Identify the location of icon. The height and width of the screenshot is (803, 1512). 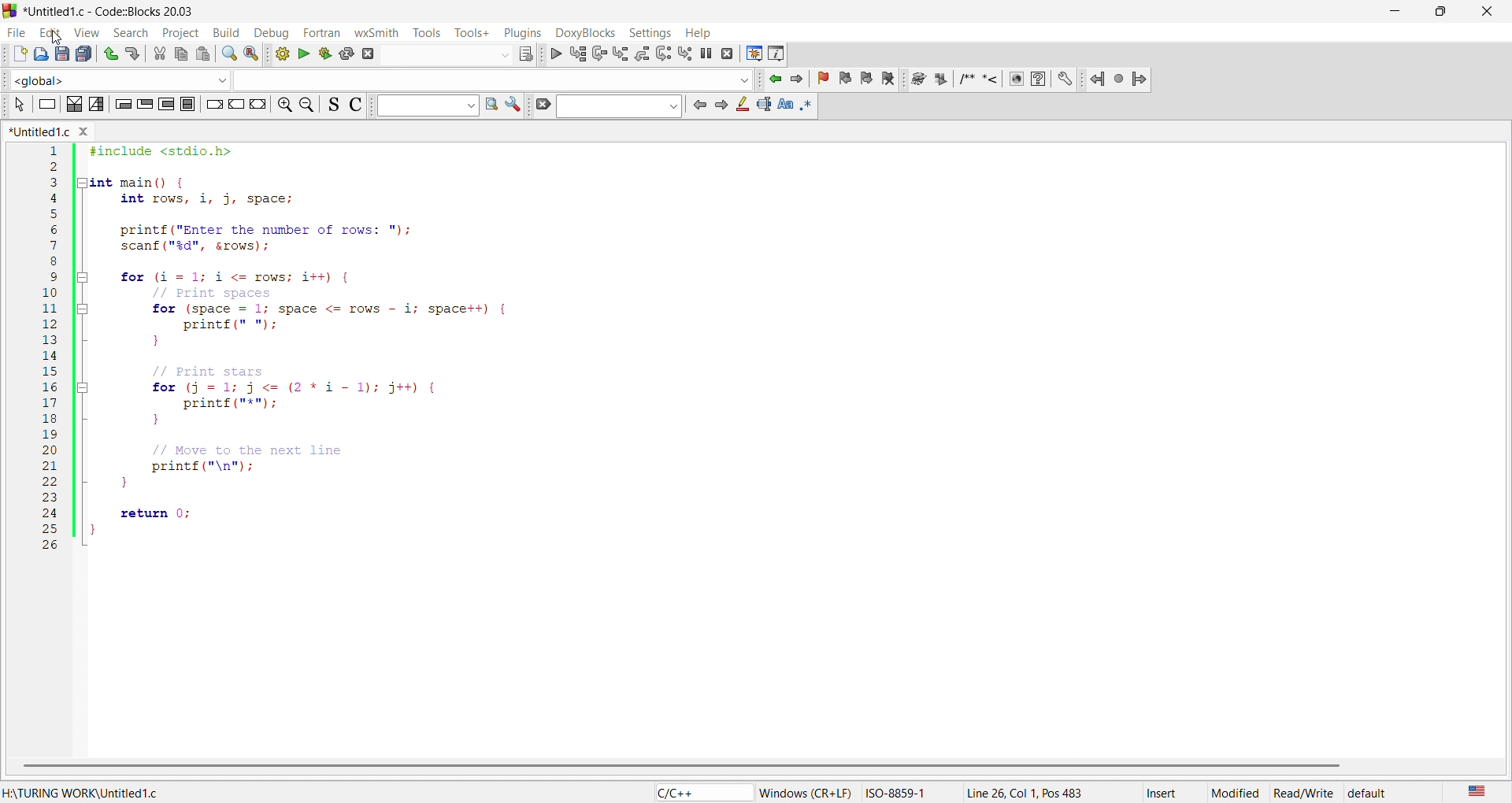
(258, 105).